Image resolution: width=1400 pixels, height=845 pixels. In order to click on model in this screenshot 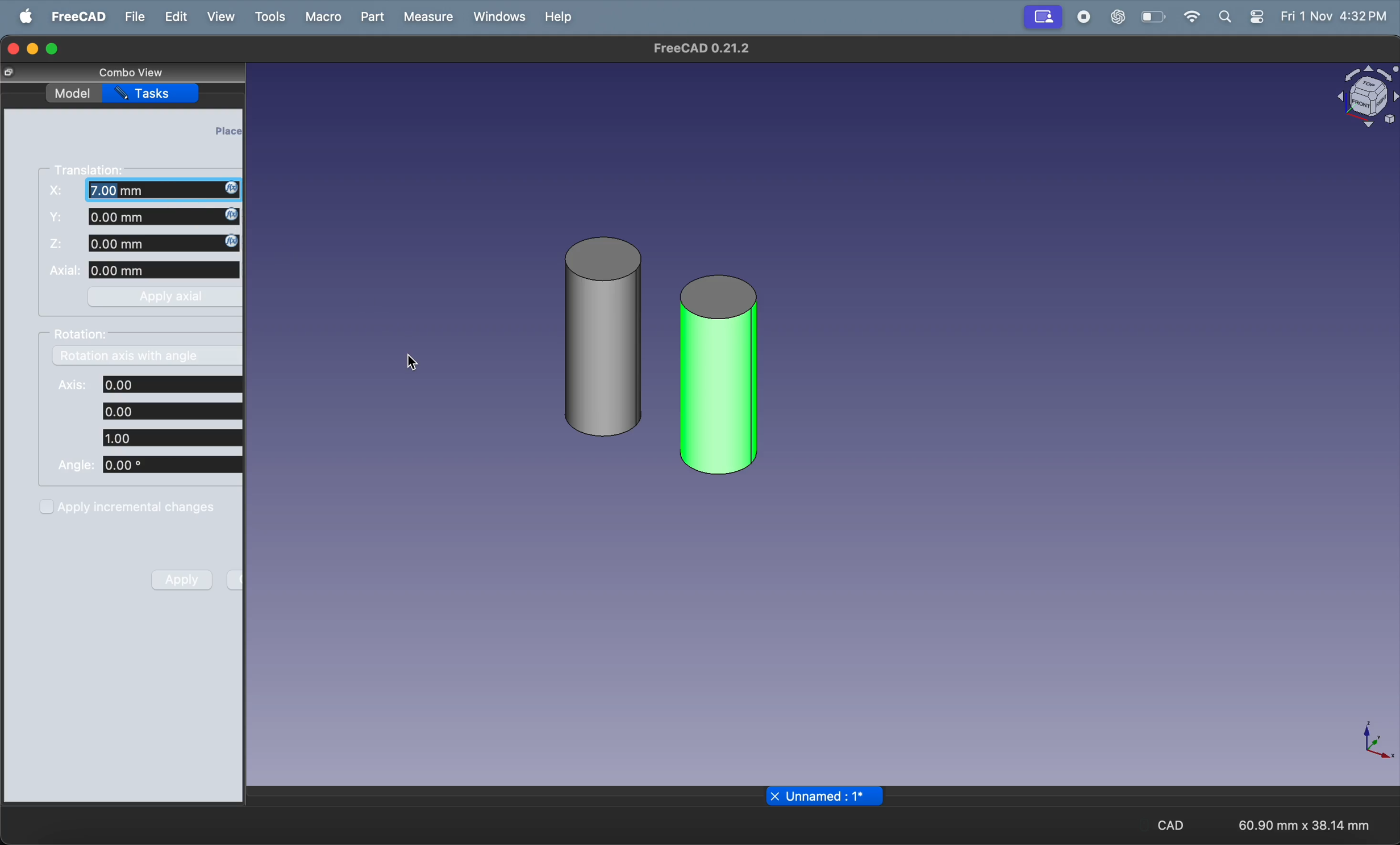, I will do `click(74, 94)`.